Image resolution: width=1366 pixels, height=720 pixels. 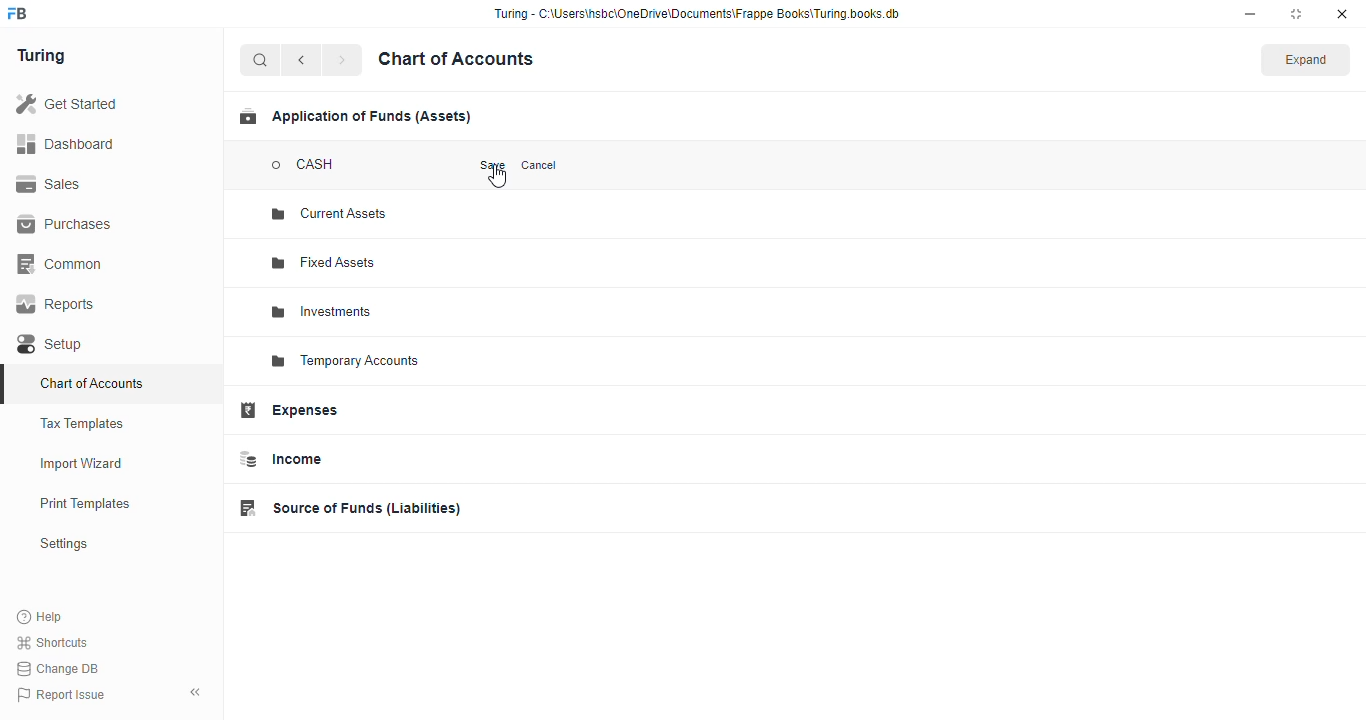 I want to click on fixed assets, so click(x=326, y=263).